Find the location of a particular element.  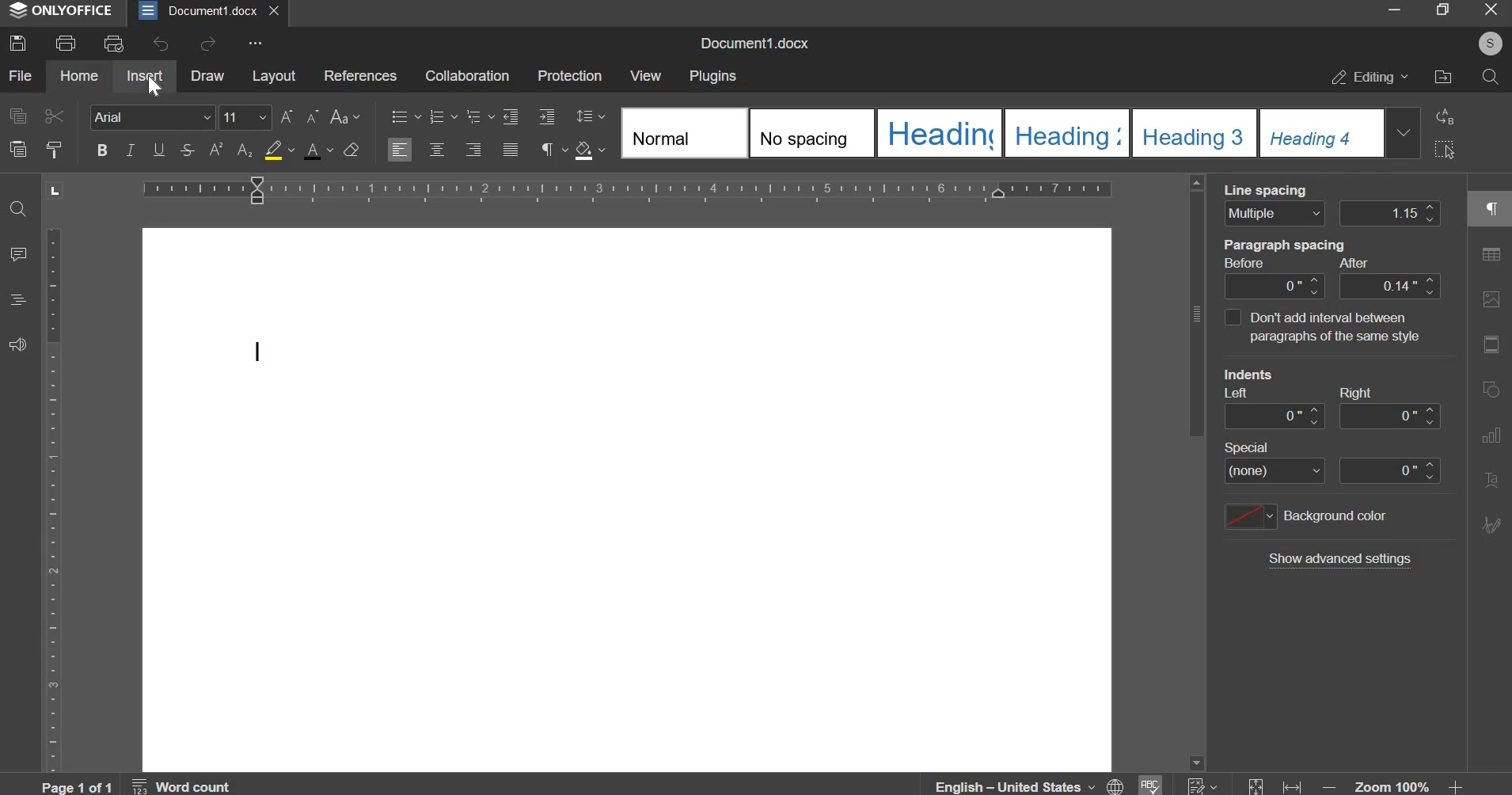

paste is located at coordinates (17, 147).